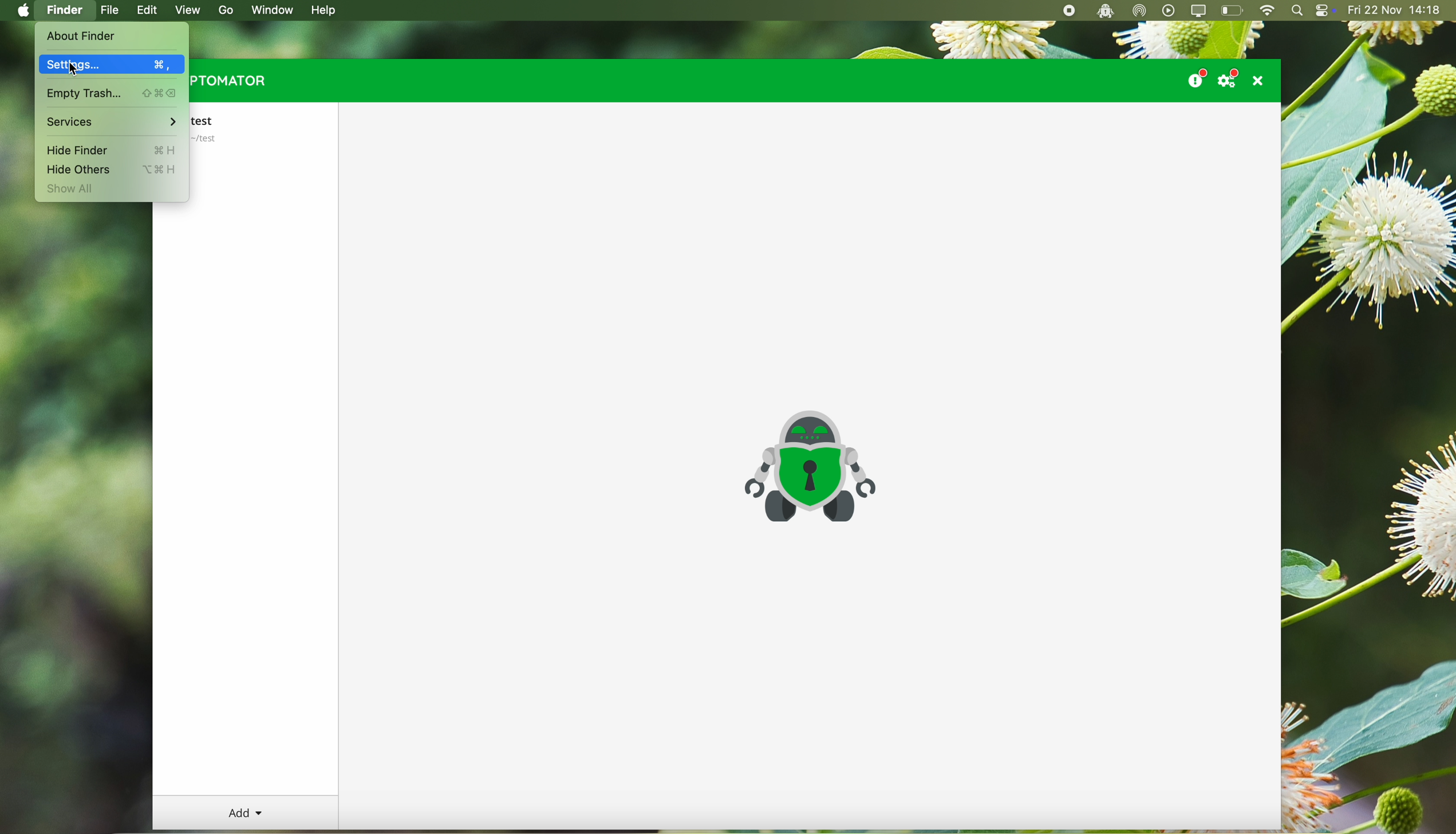  I want to click on test, so click(216, 128).